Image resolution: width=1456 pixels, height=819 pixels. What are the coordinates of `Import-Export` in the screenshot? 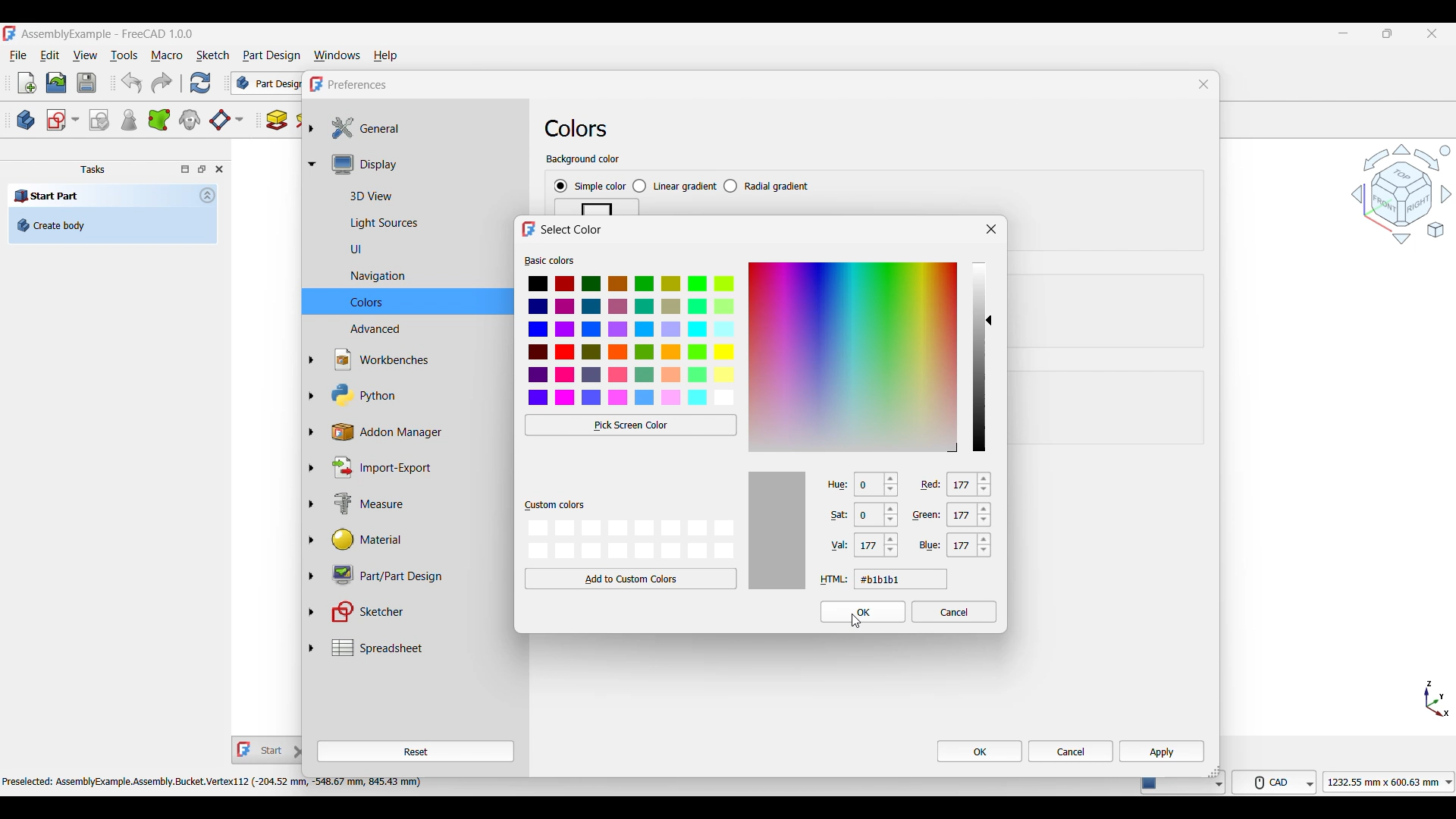 It's located at (415, 467).